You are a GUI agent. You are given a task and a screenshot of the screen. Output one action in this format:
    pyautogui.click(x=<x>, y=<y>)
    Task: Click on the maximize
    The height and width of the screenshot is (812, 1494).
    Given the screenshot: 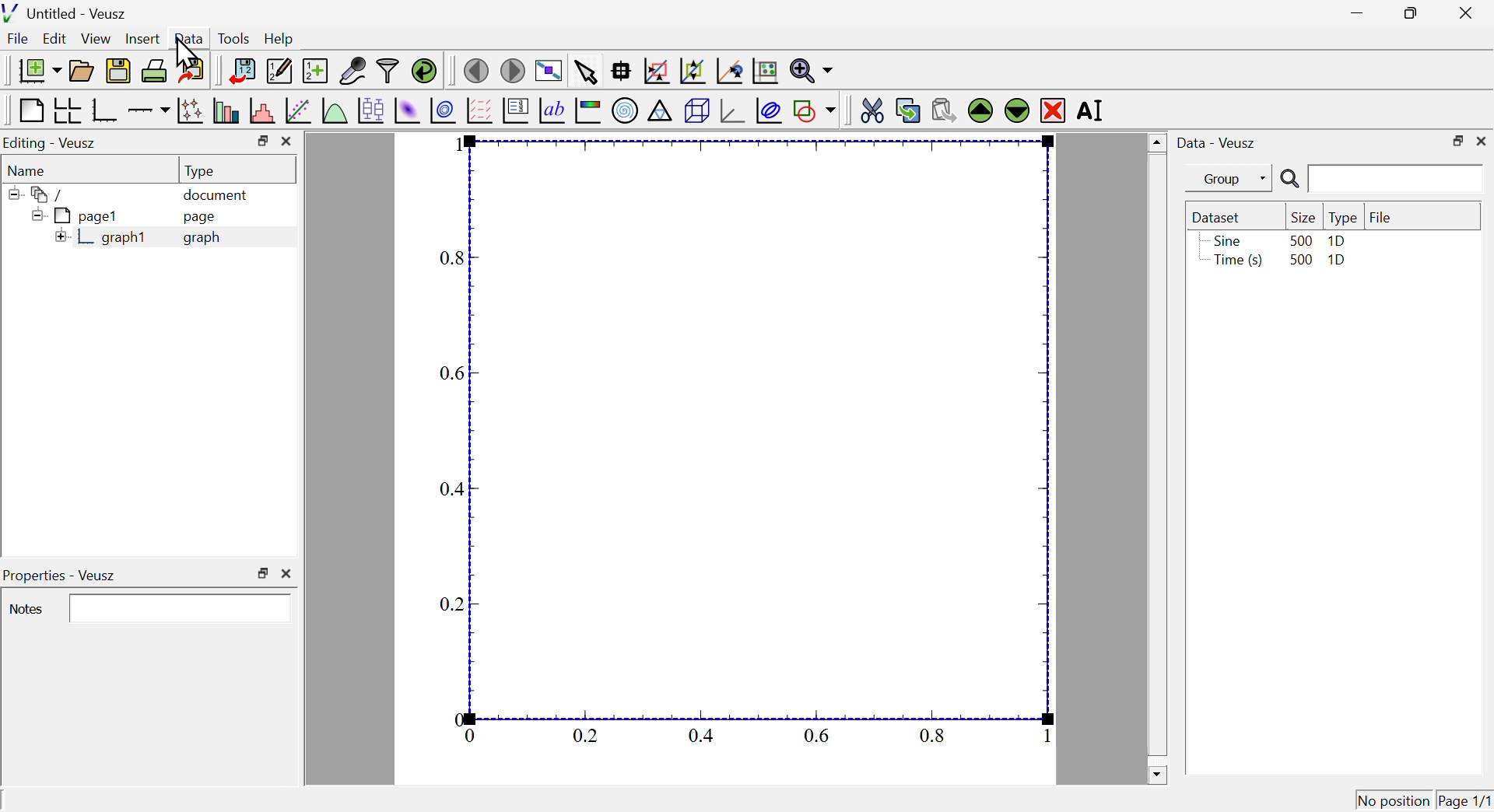 What is the action you would take?
    pyautogui.click(x=1455, y=140)
    